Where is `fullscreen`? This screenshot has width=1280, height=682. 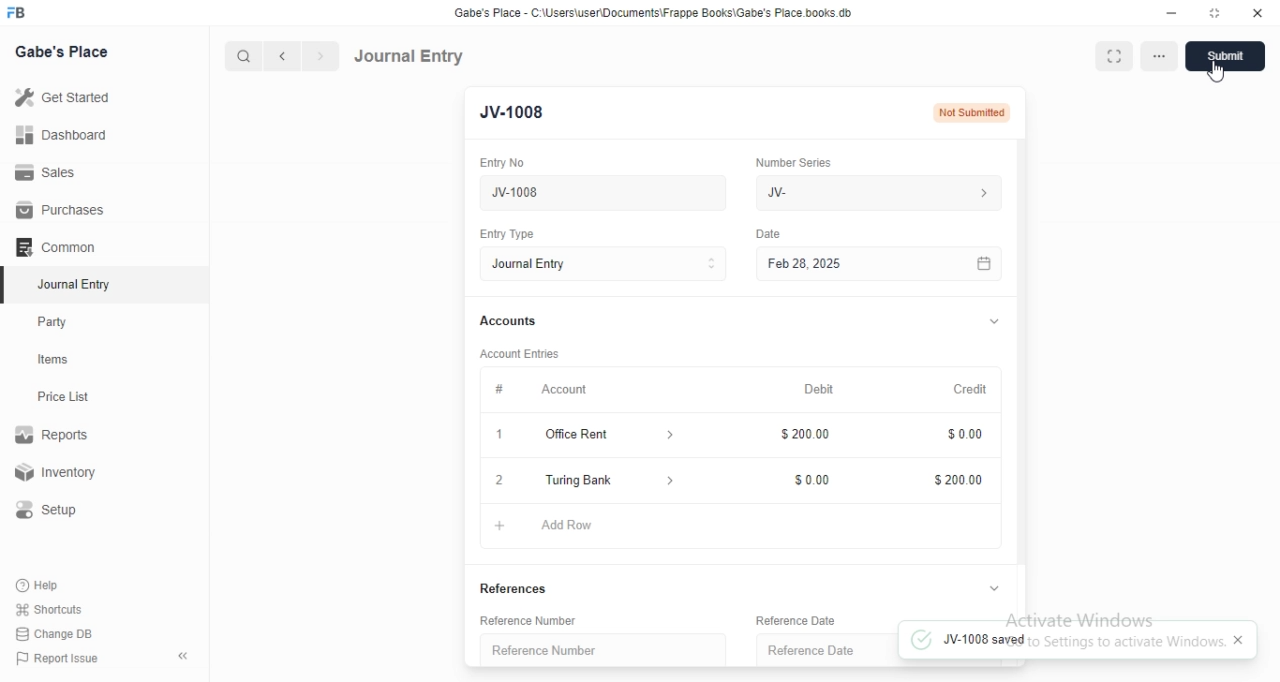
fullscreen is located at coordinates (1117, 56).